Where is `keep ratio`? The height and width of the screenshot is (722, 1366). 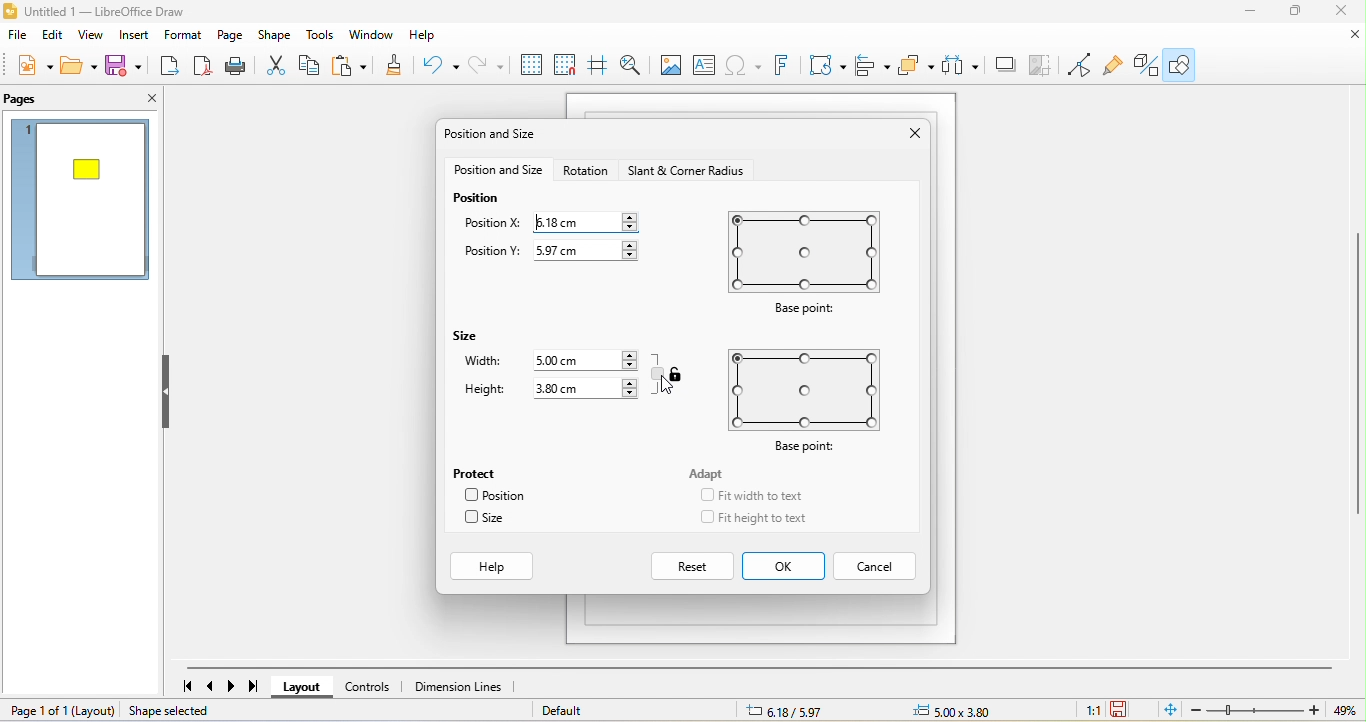
keep ratio is located at coordinates (655, 375).